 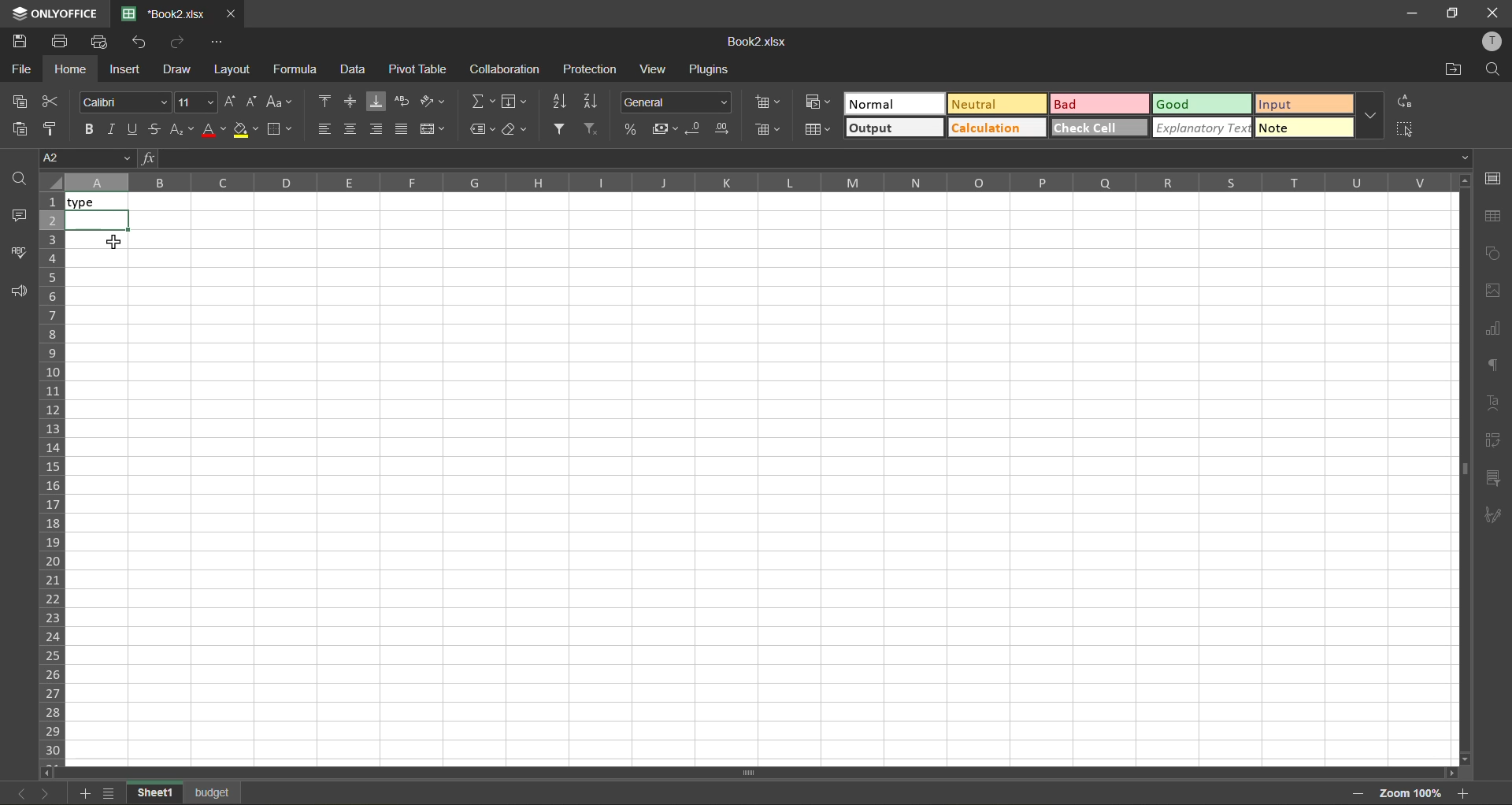 I want to click on zoom factor, so click(x=1411, y=793).